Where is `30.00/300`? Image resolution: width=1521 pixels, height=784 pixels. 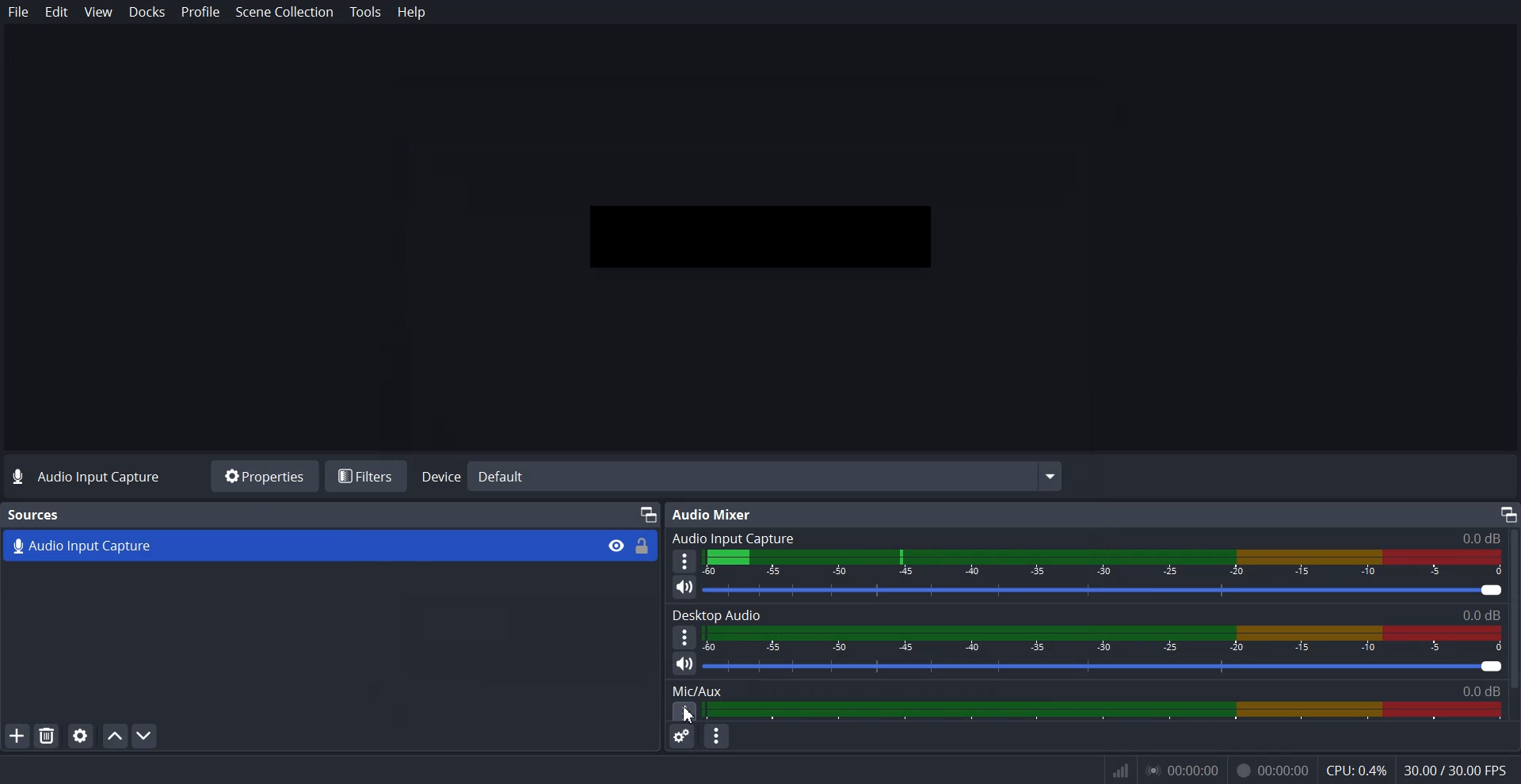 30.00/300 is located at coordinates (1461, 771).